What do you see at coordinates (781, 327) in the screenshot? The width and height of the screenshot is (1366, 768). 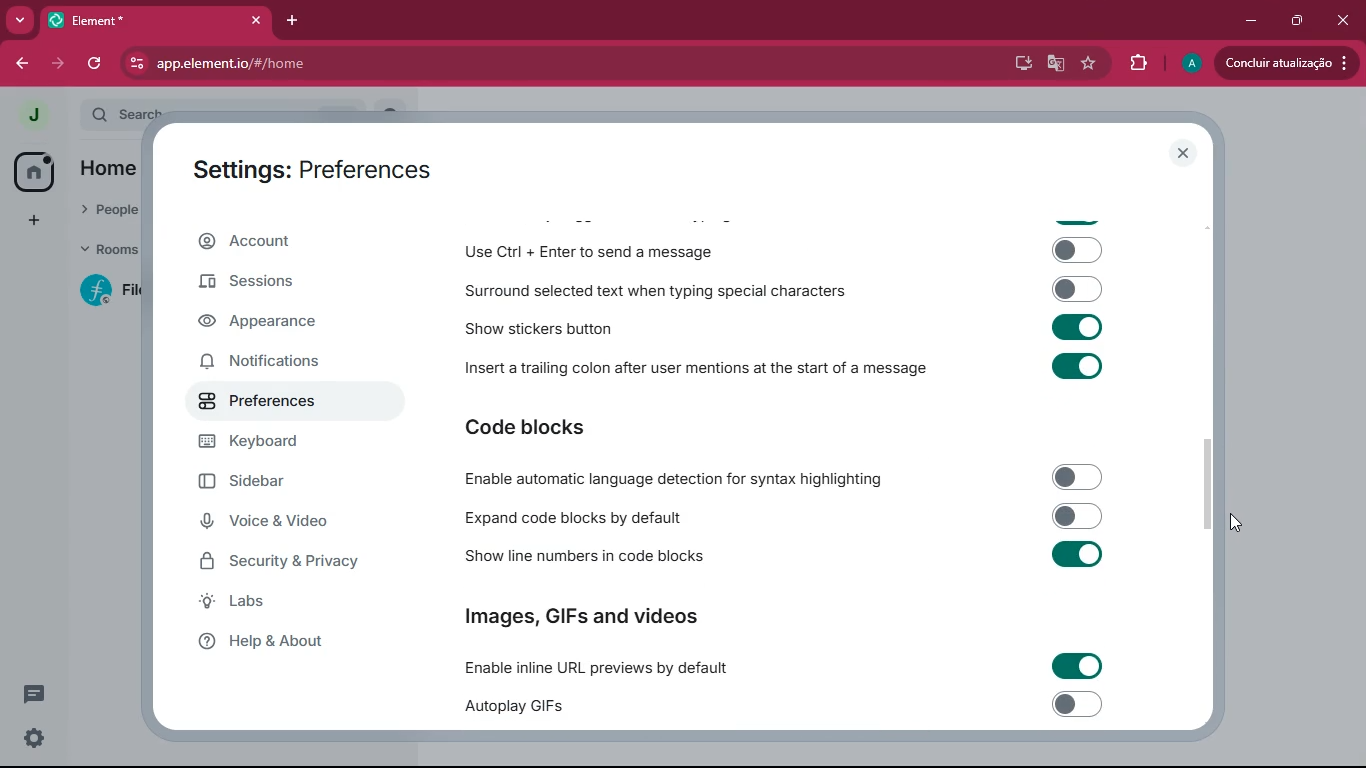 I see `Show stickers button` at bounding box center [781, 327].